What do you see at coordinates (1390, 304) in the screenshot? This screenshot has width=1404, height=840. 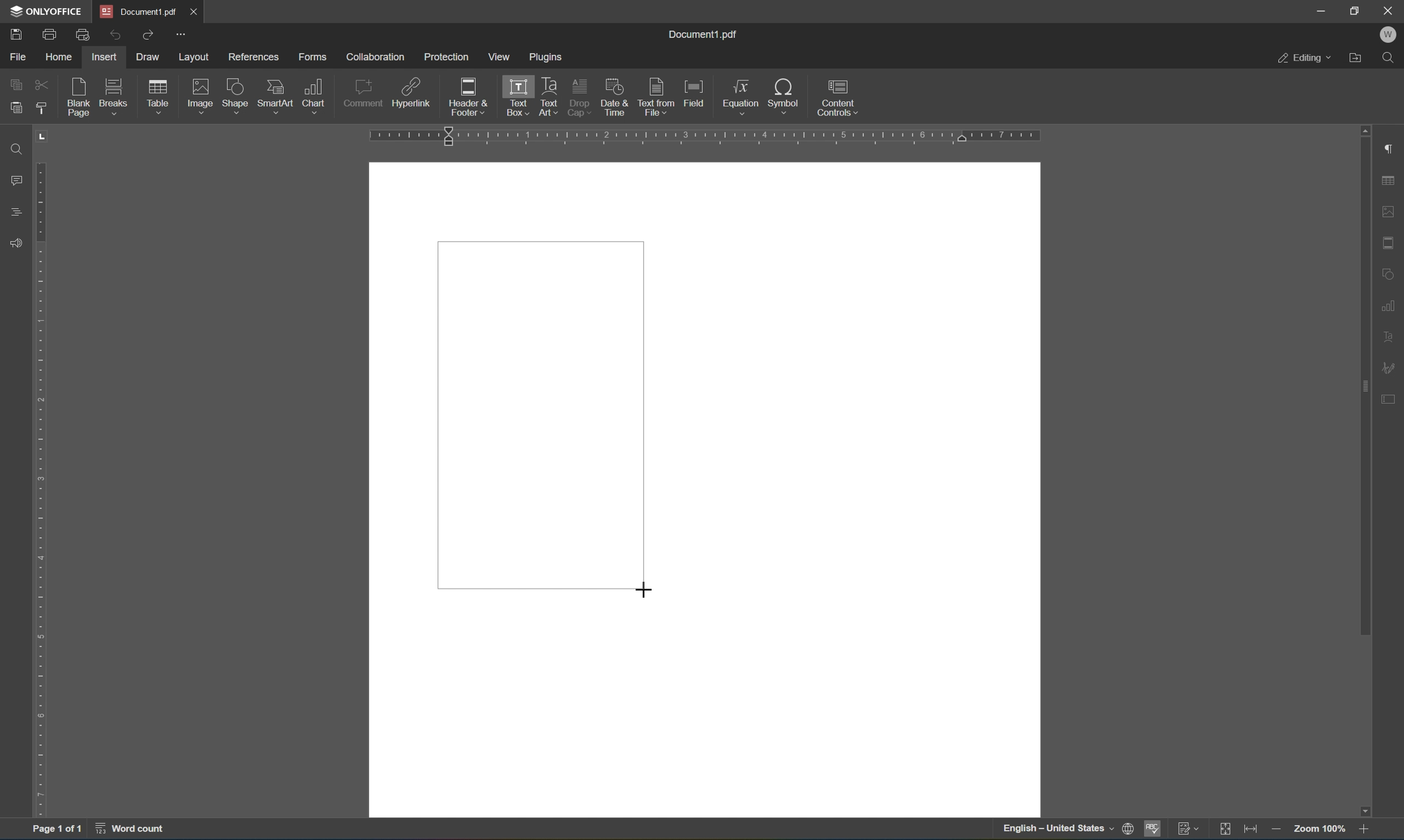 I see `Chart settings` at bounding box center [1390, 304].